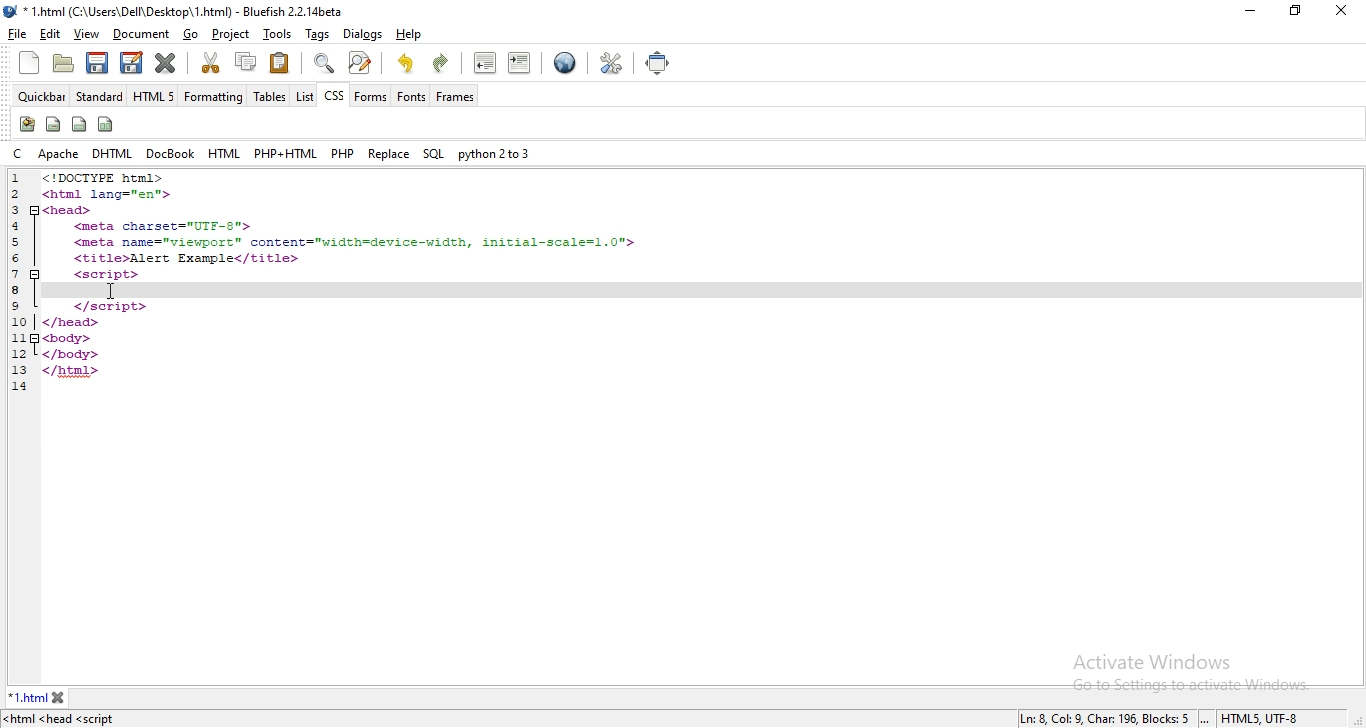 This screenshot has width=1366, height=728. What do you see at coordinates (321, 63) in the screenshot?
I see `zoom` at bounding box center [321, 63].